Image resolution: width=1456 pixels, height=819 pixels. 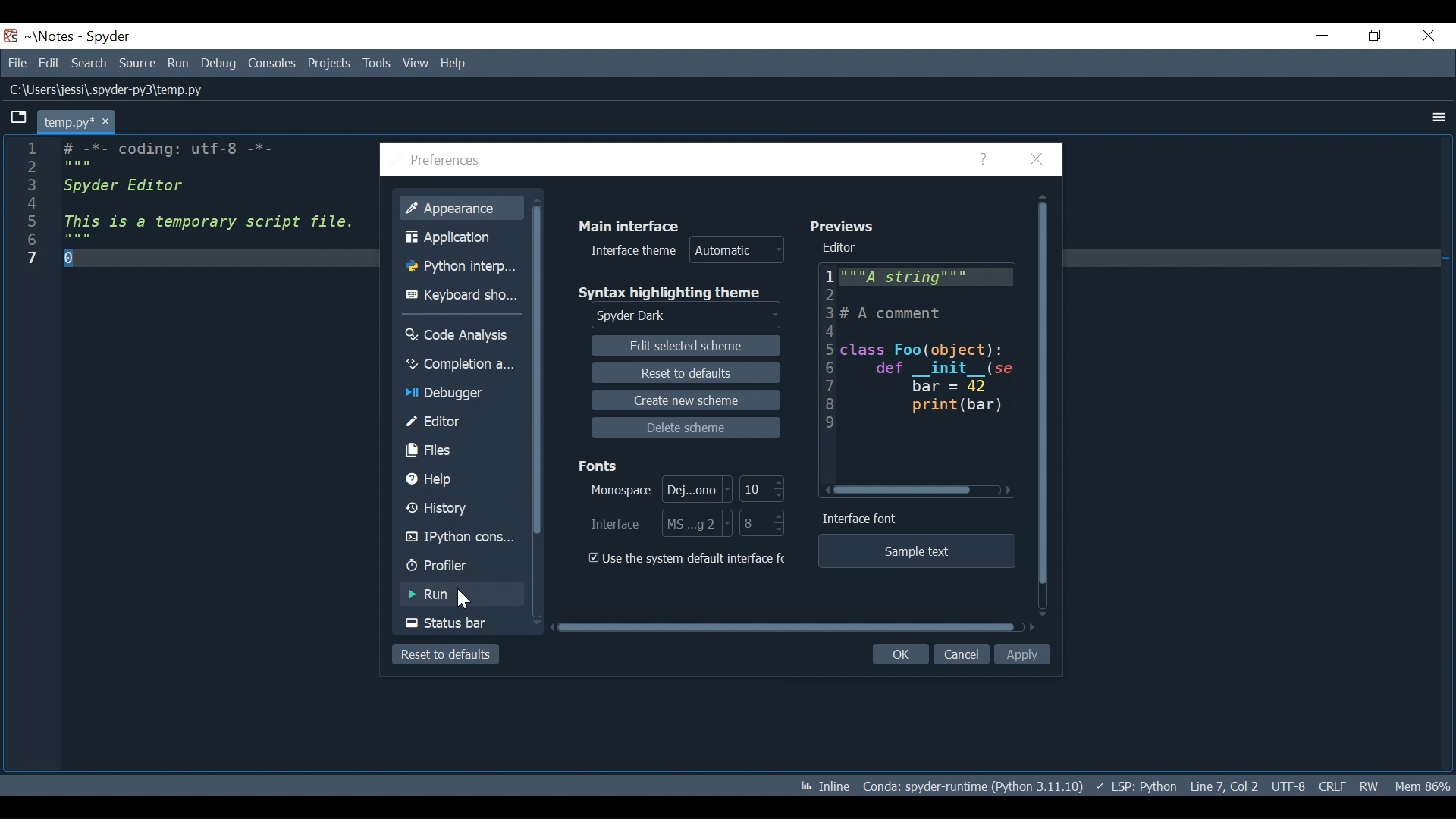 I want to click on Application, so click(x=458, y=237).